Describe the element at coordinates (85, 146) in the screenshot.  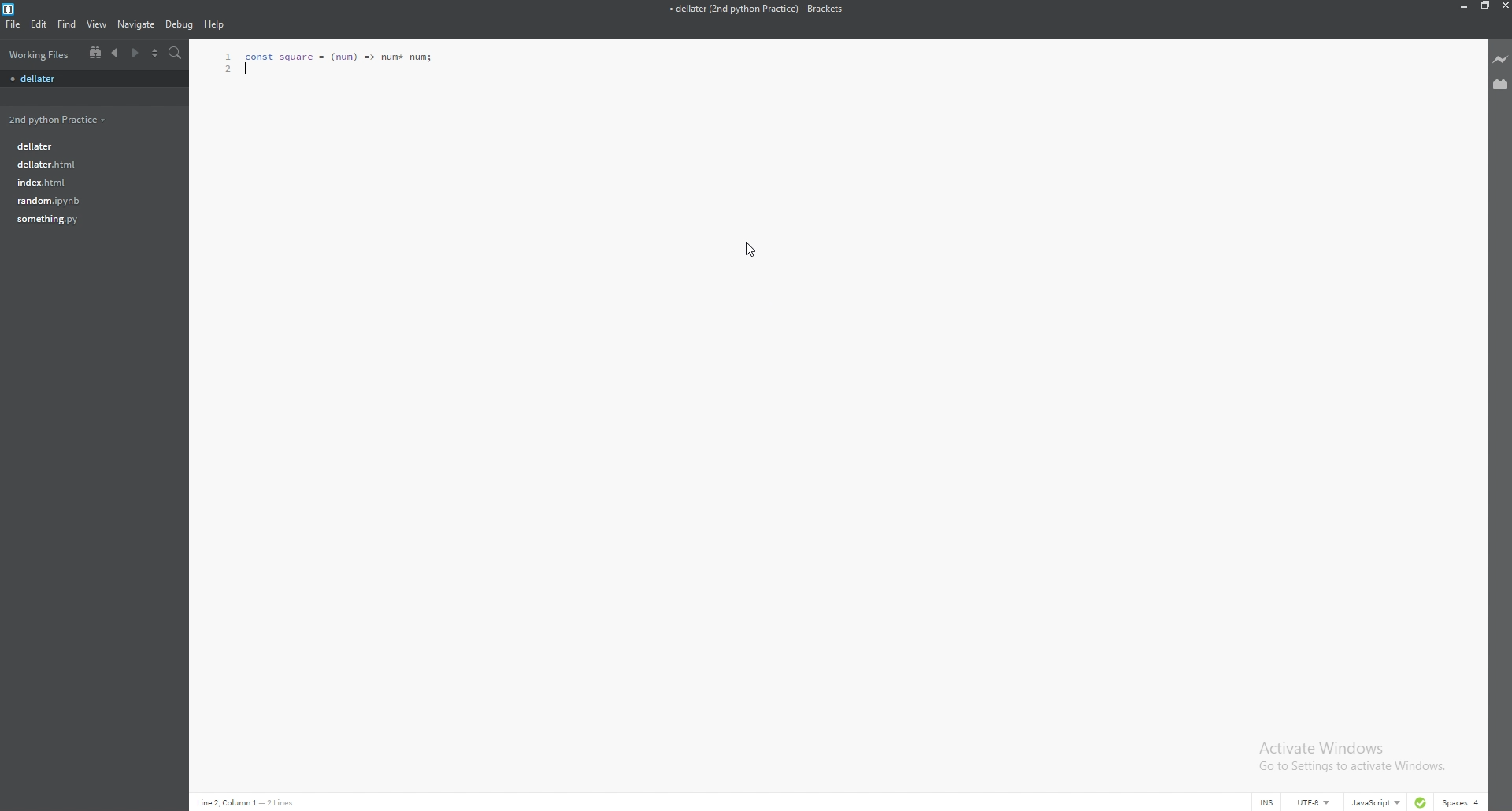
I see `file` at that location.